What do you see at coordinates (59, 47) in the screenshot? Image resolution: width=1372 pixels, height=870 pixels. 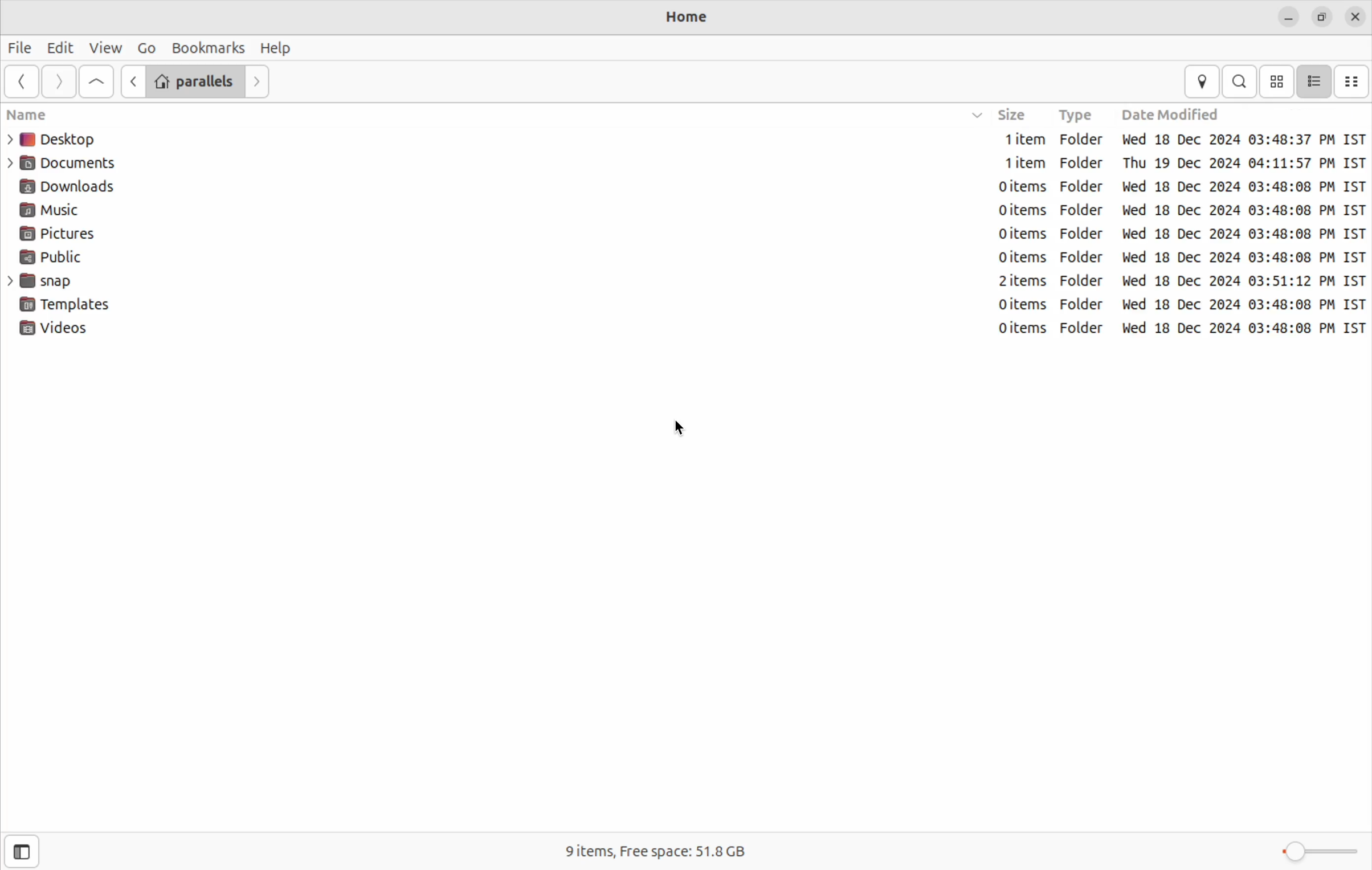 I see `Edit` at bounding box center [59, 47].